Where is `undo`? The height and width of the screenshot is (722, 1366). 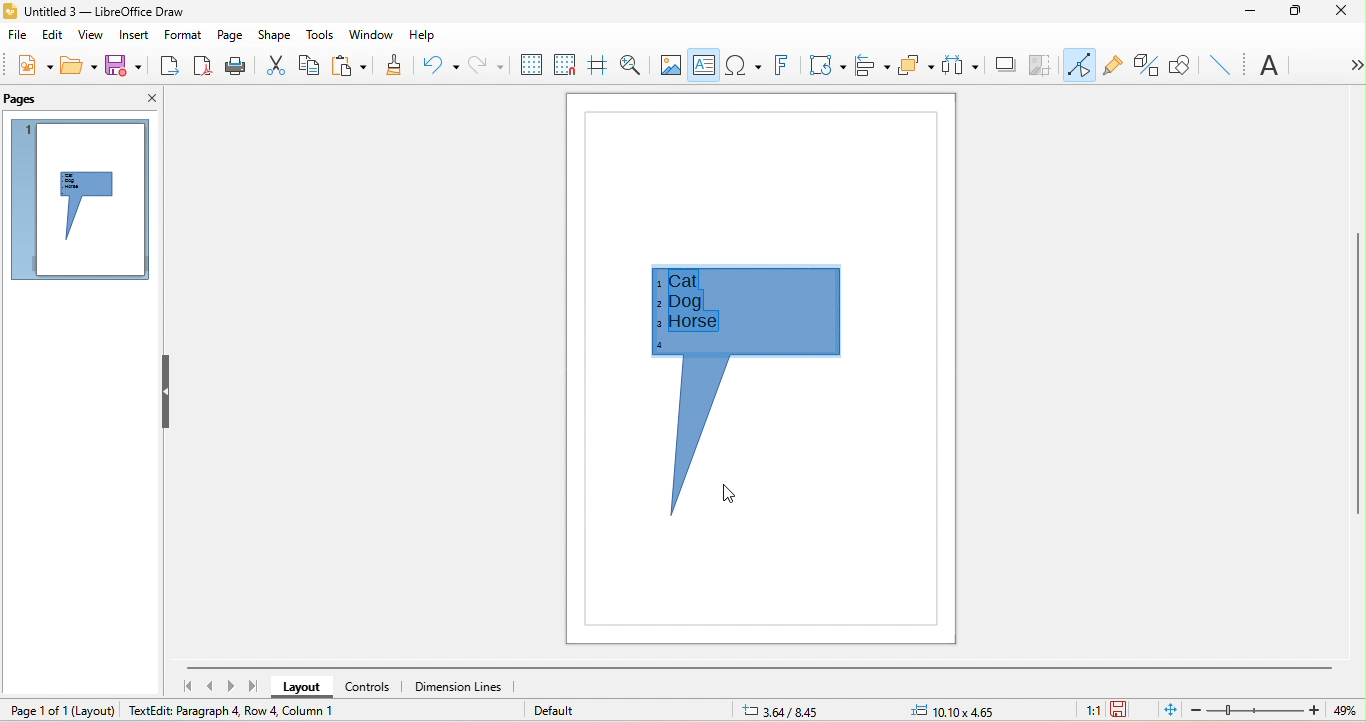
undo is located at coordinates (438, 63).